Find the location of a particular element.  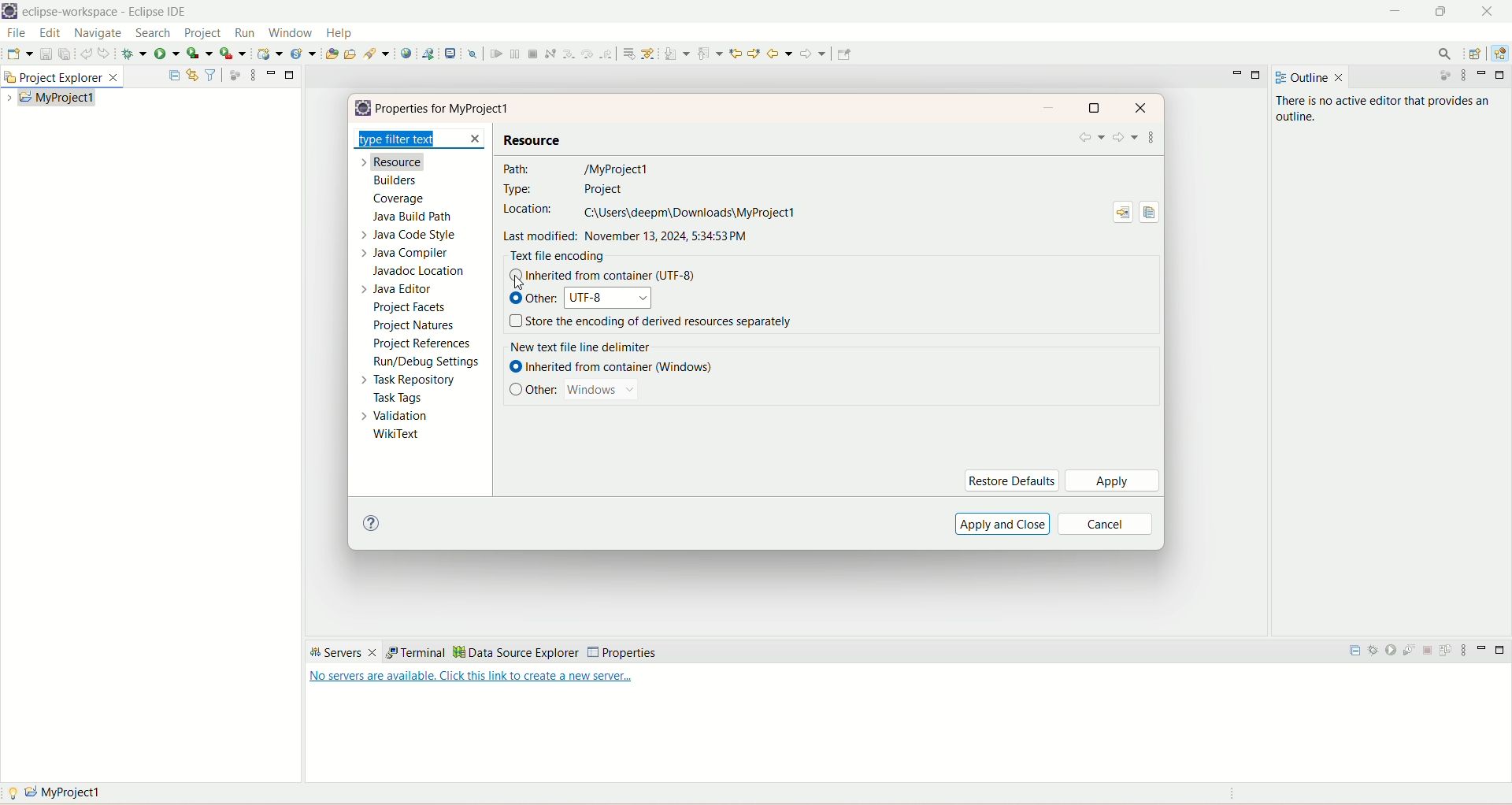

collapse all is located at coordinates (1355, 655).